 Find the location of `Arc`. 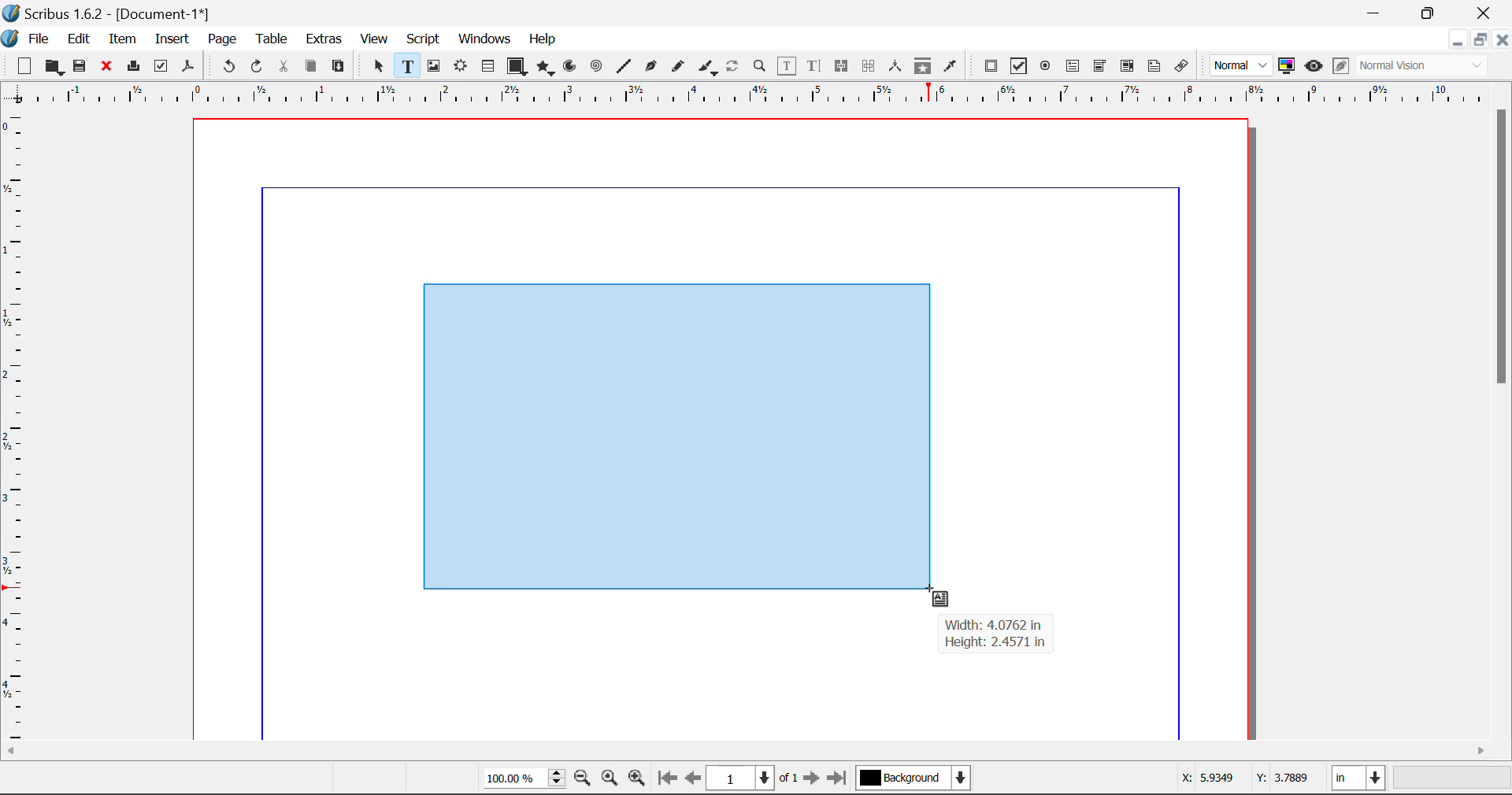

Arc is located at coordinates (571, 68).